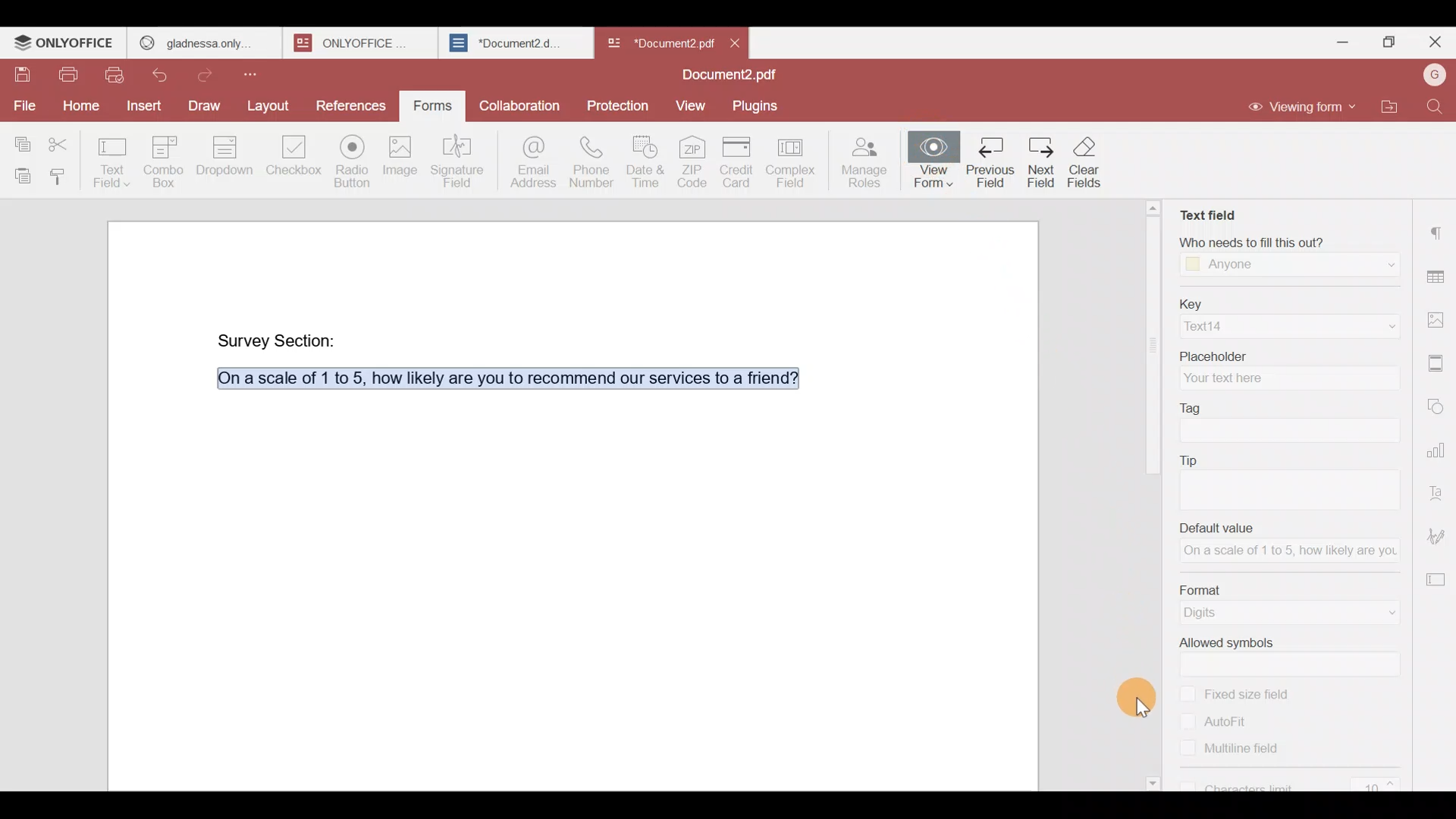 The width and height of the screenshot is (1456, 819). What do you see at coordinates (1287, 642) in the screenshot?
I see `Allowed symbols` at bounding box center [1287, 642].